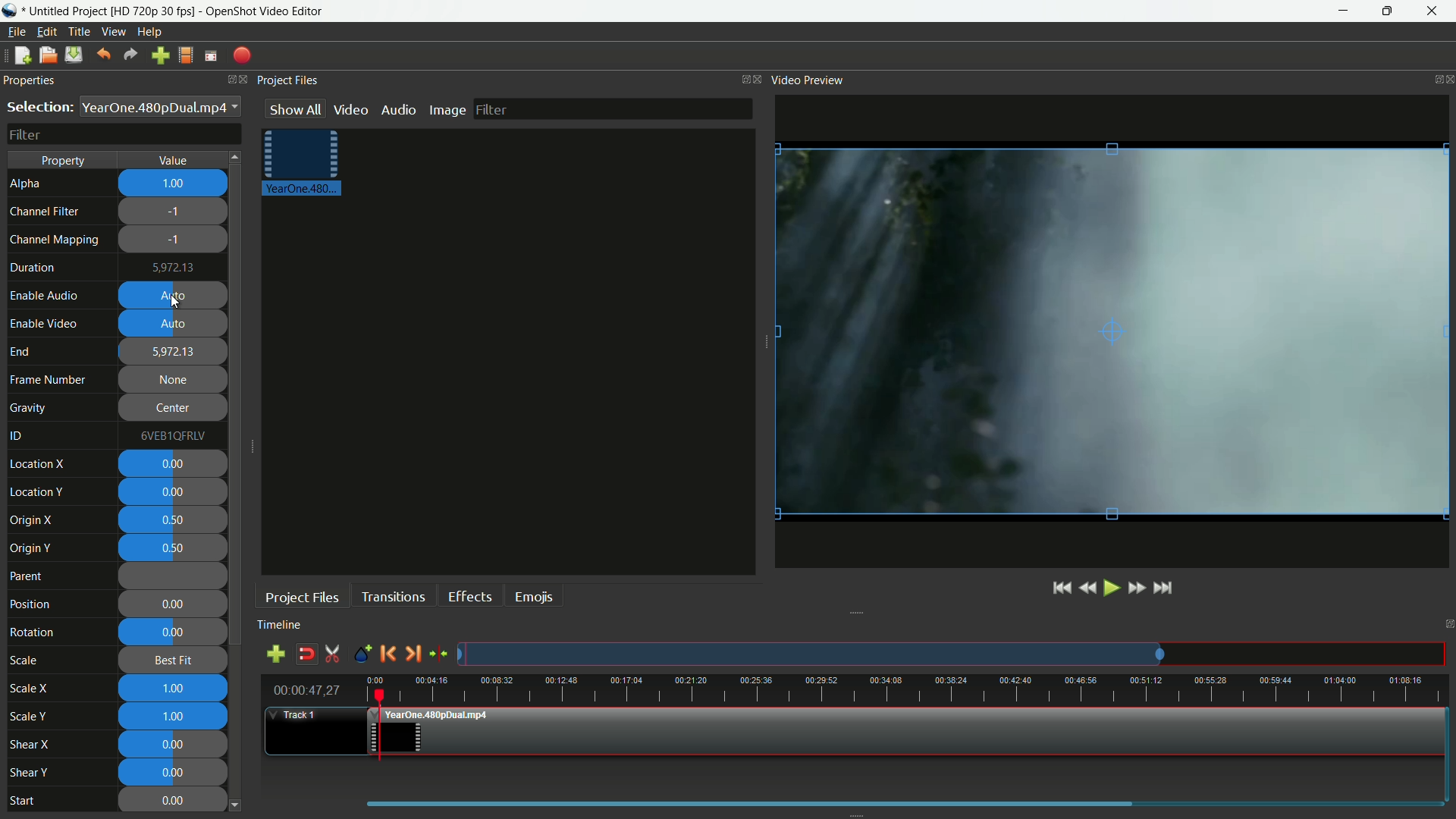  I want to click on video, so click(351, 108).